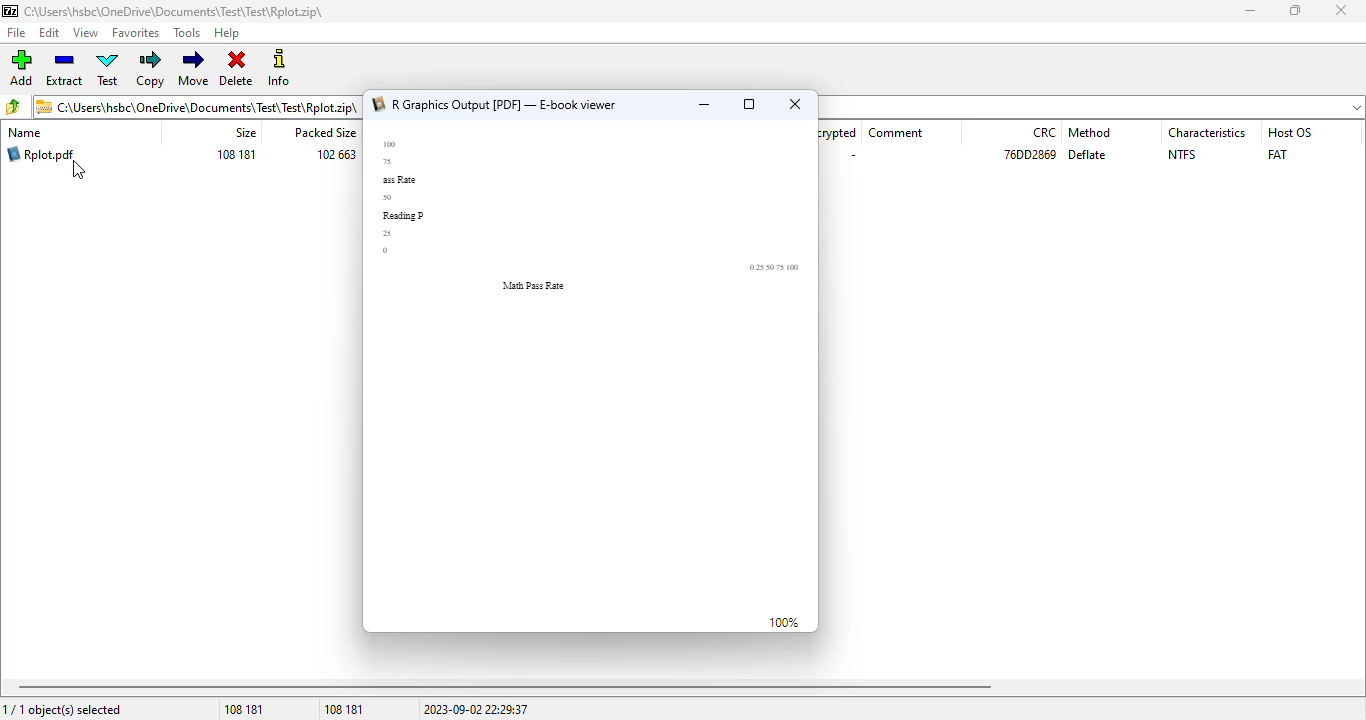  Describe the element at coordinates (1295, 10) in the screenshot. I see `maximize` at that location.